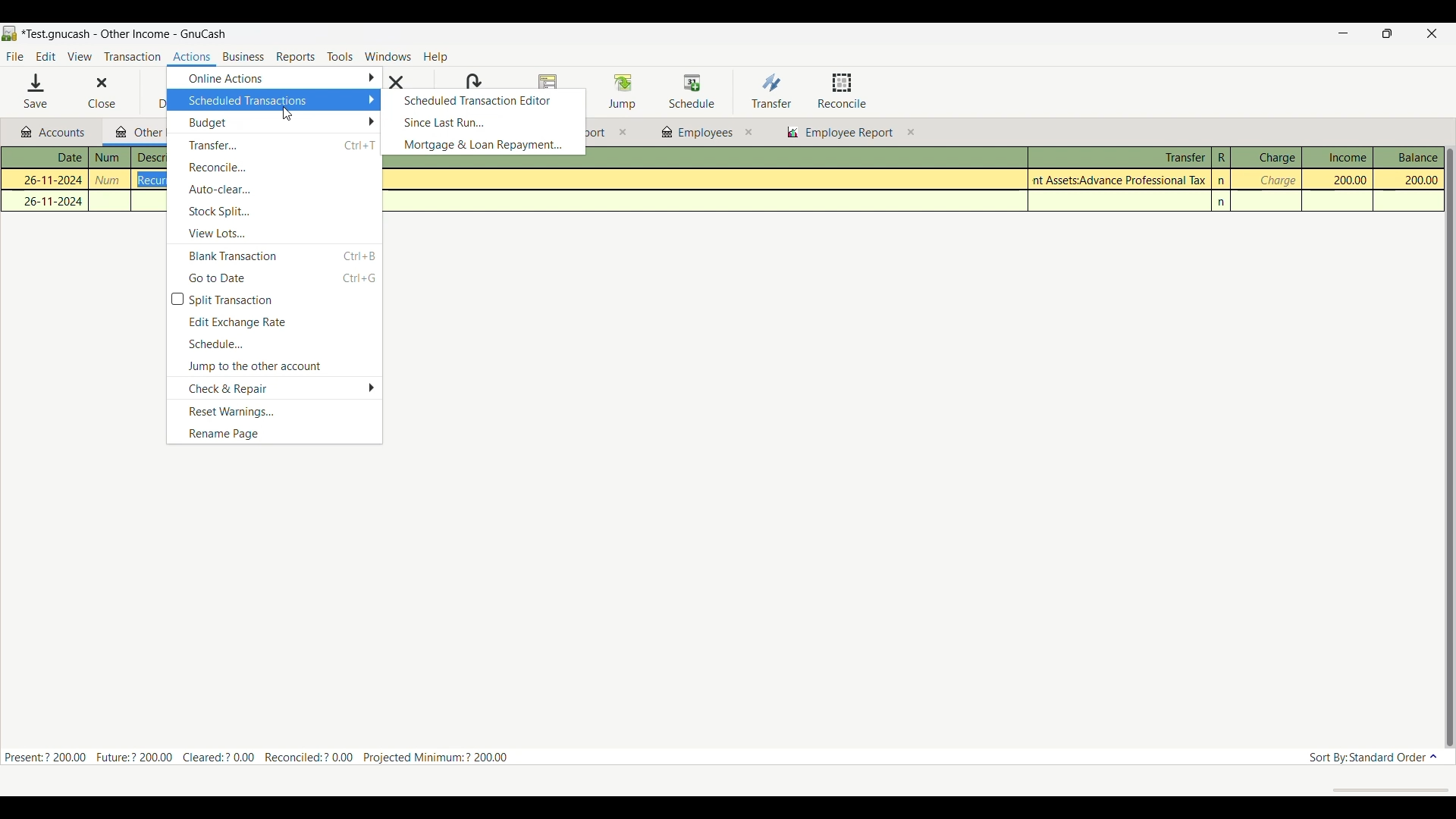 The width and height of the screenshot is (1456, 819). What do you see at coordinates (692, 93) in the screenshot?
I see `Schedule highlighted after selection by cursor` at bounding box center [692, 93].